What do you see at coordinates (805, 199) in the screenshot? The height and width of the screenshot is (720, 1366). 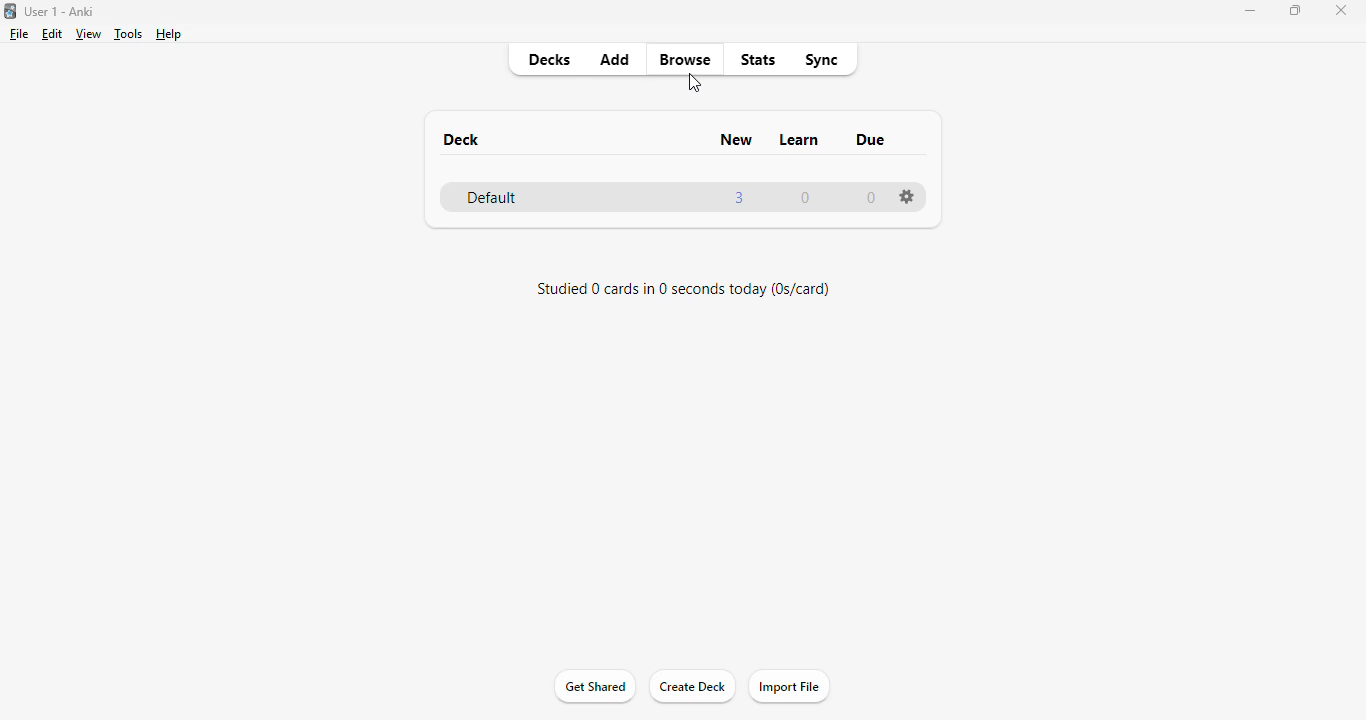 I see `0` at bounding box center [805, 199].